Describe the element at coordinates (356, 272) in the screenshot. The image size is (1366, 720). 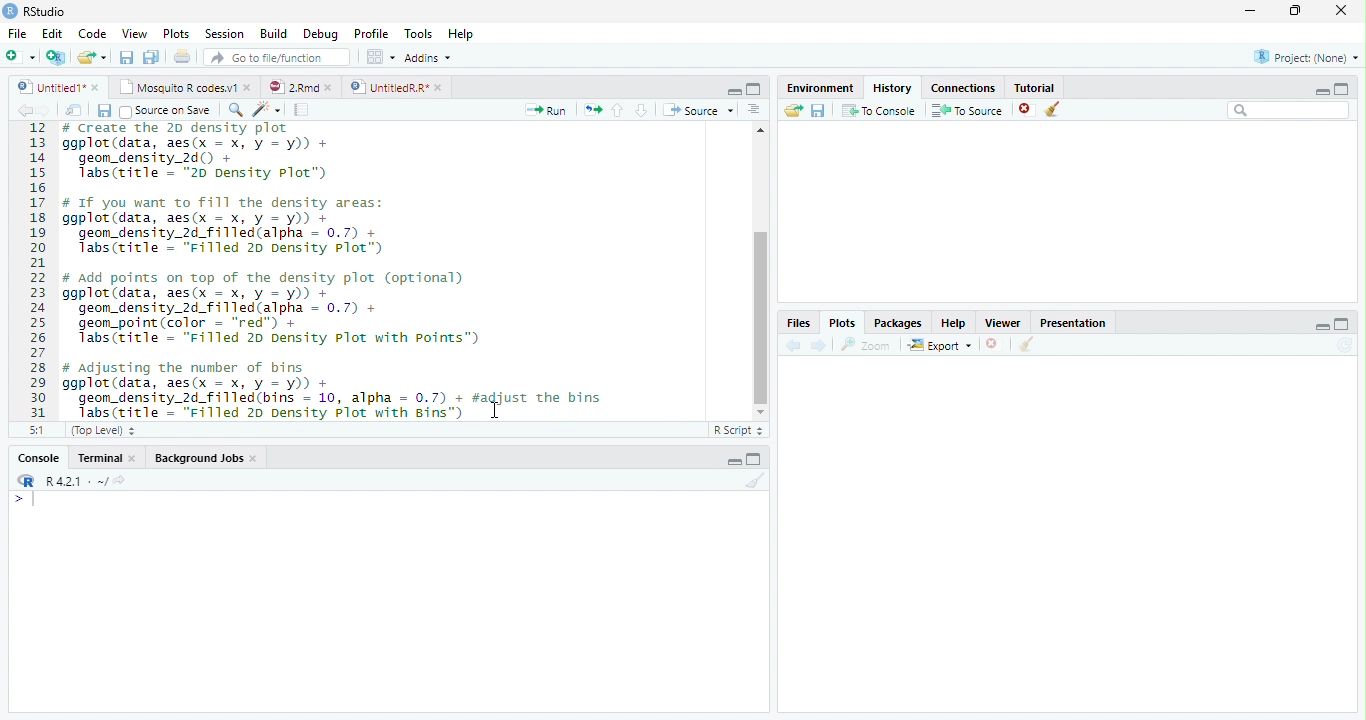
I see `12 # Create the ZD density plot
13 ggplot(data, aes(x = x, y = y)) +

14 geom_density_2d() +

15 Tabs(ritle - "20 Density Plot”)

16

17 # If you want to ill the density areas:

18 ggplot(data, aes(x = x, y = y)) +

19 geom_density_2d_filled(alpha = 0.7) +

20 Tabs(title = "Filled 20 Density Plot”)

21

22 # add points on top of the density plot (optional)

23 ggplot(data, aes(x = x, y = y)) +

24 geom_density_2d_filled(alpha = 0.7) +

25 geom_point(color = “red") +

26 Tabs(title = "Filled 20 Density Plot with points”)

27

28 # adjusting the number of bins

29 ggplot(data, aes(x = x, y = y)) +

30 geom_density_2d_filled(bins = 10, alpha = 0.7) + #adjust the bins
31 Jabs(ritle = “Filled 20 Density Plot with Bins")` at that location.